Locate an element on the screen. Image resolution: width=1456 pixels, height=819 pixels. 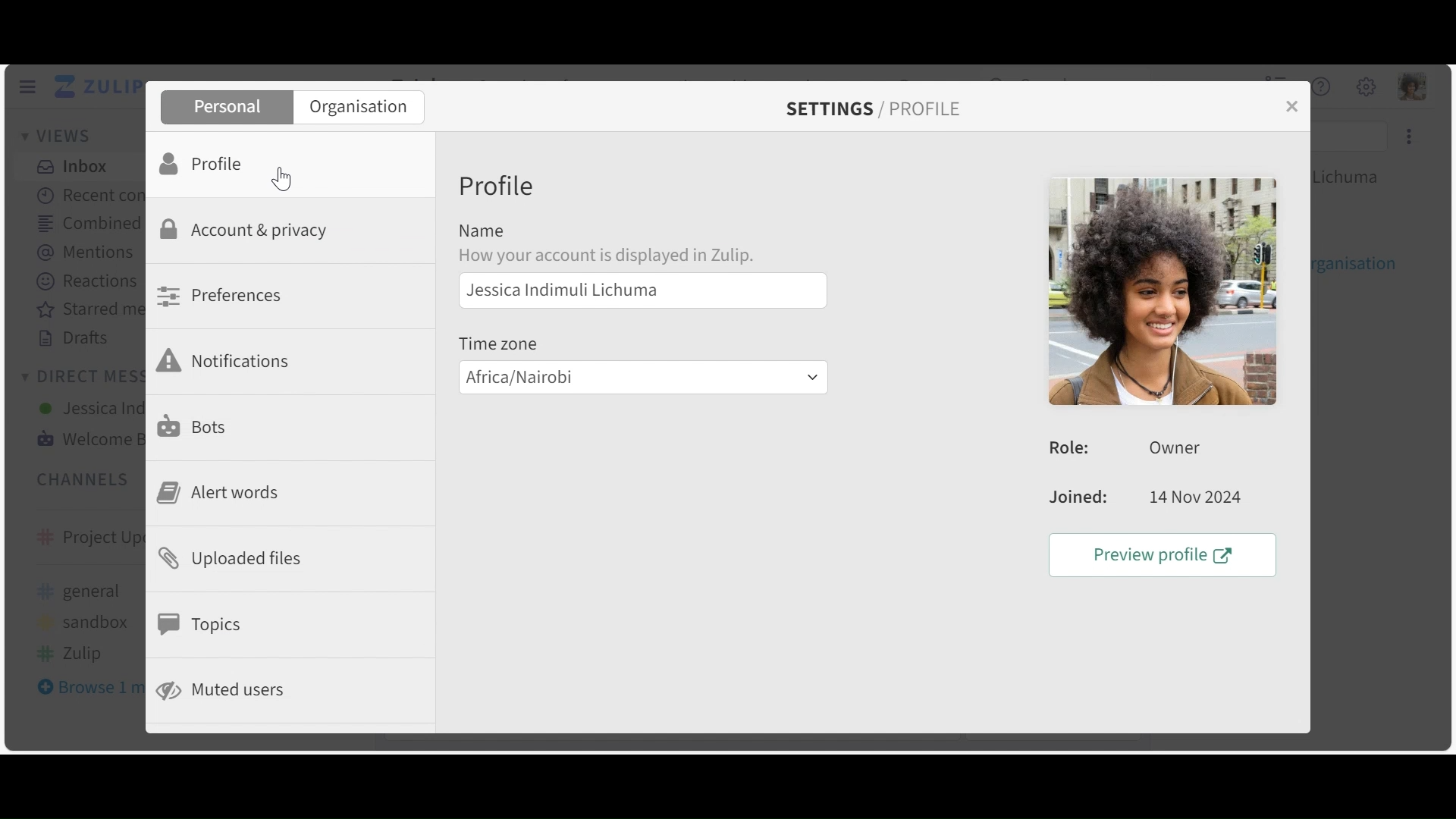
Profile is located at coordinates (204, 165).